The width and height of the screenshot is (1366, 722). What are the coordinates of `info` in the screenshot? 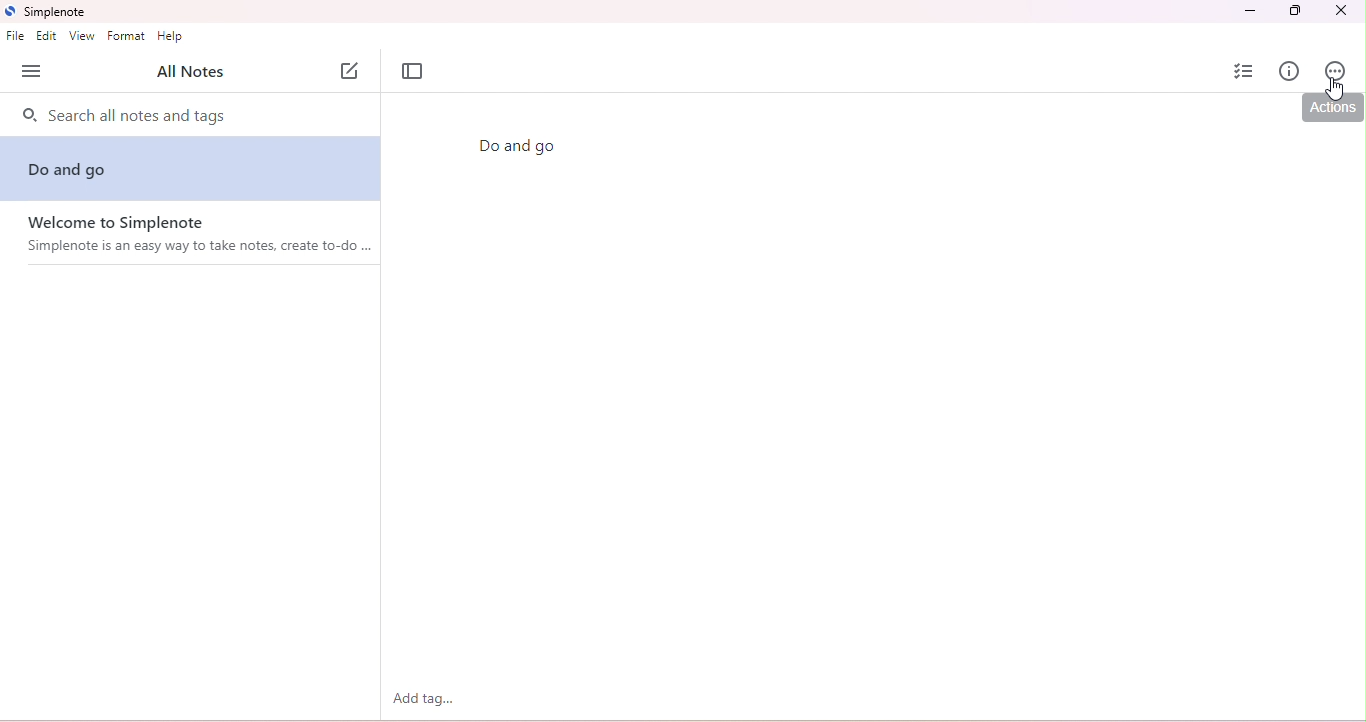 It's located at (1293, 70).